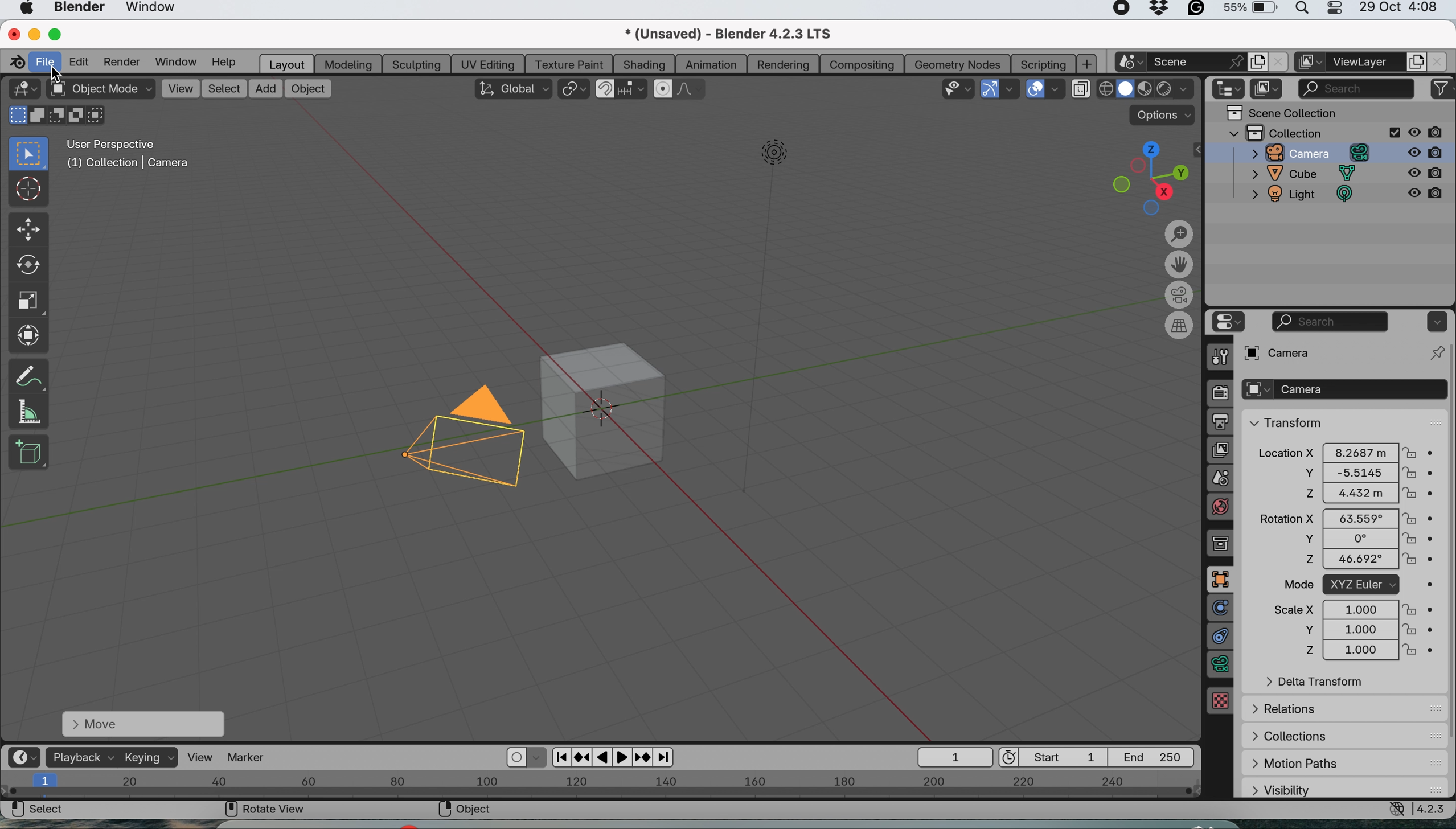  What do you see at coordinates (1041, 63) in the screenshot?
I see `scripting` at bounding box center [1041, 63].